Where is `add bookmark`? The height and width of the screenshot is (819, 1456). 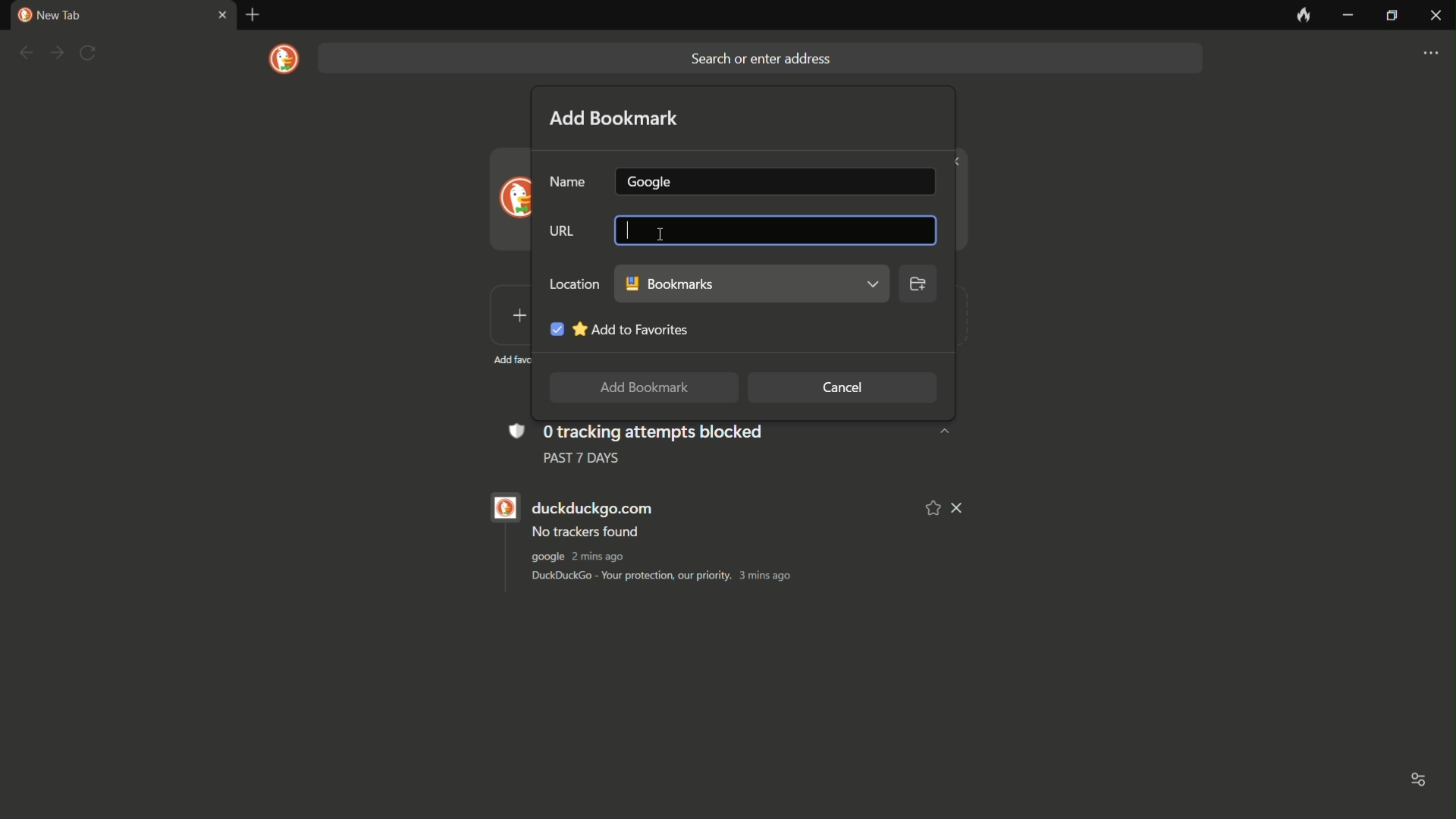
add bookmark is located at coordinates (615, 118).